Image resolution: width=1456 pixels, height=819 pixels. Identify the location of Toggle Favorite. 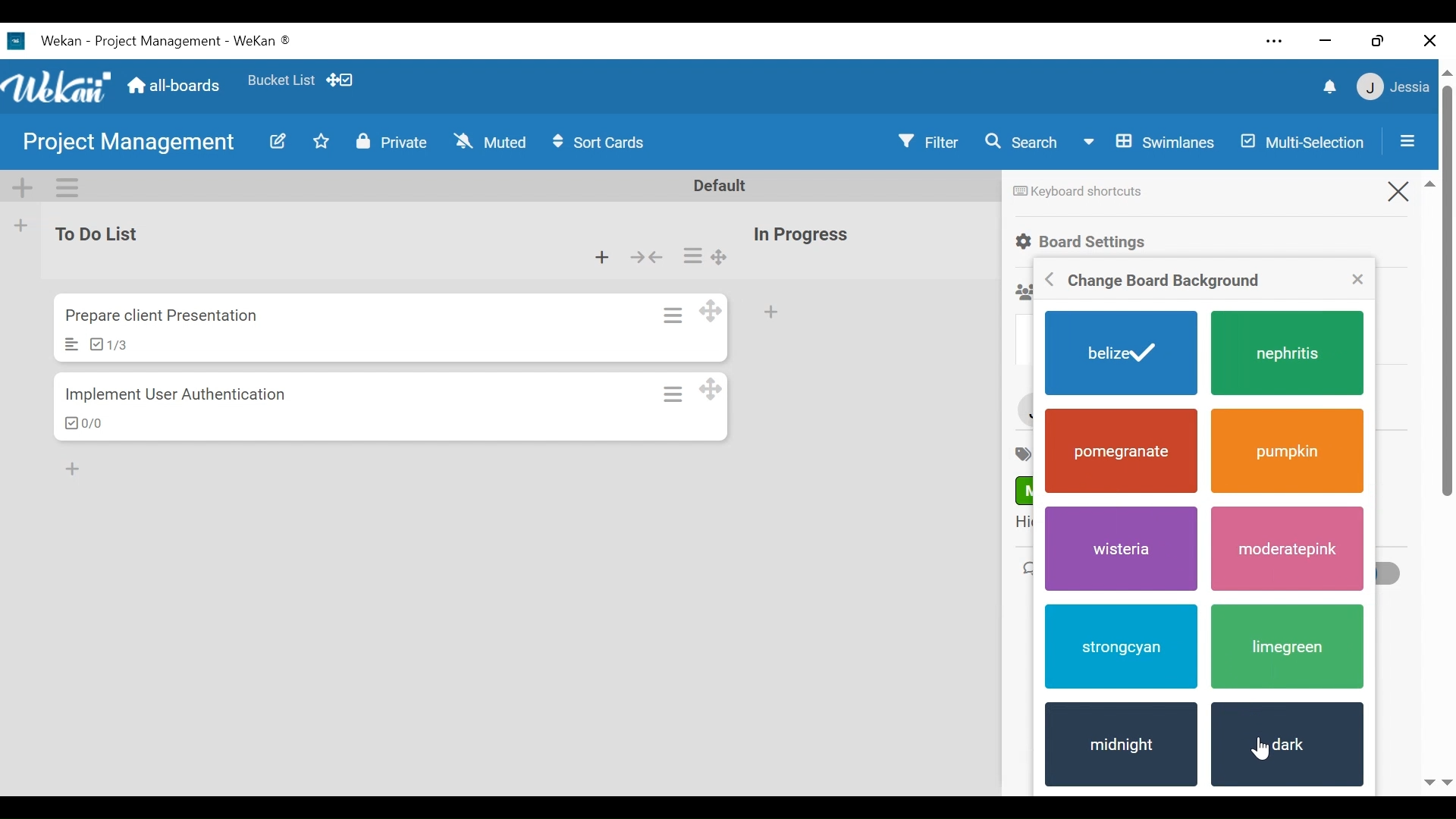
(324, 141).